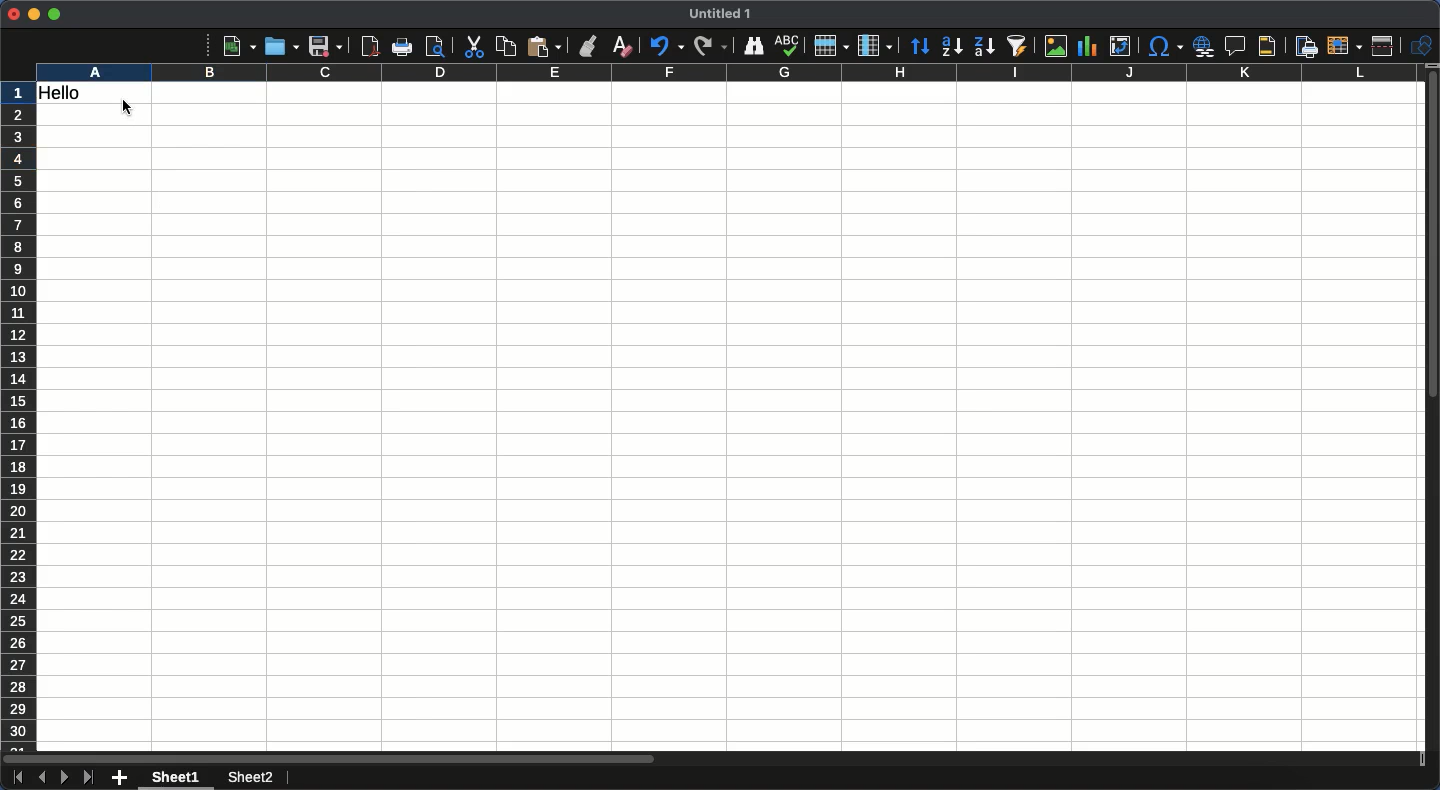 This screenshot has height=790, width=1440. Describe the element at coordinates (710, 45) in the screenshot. I see `Redo` at that location.